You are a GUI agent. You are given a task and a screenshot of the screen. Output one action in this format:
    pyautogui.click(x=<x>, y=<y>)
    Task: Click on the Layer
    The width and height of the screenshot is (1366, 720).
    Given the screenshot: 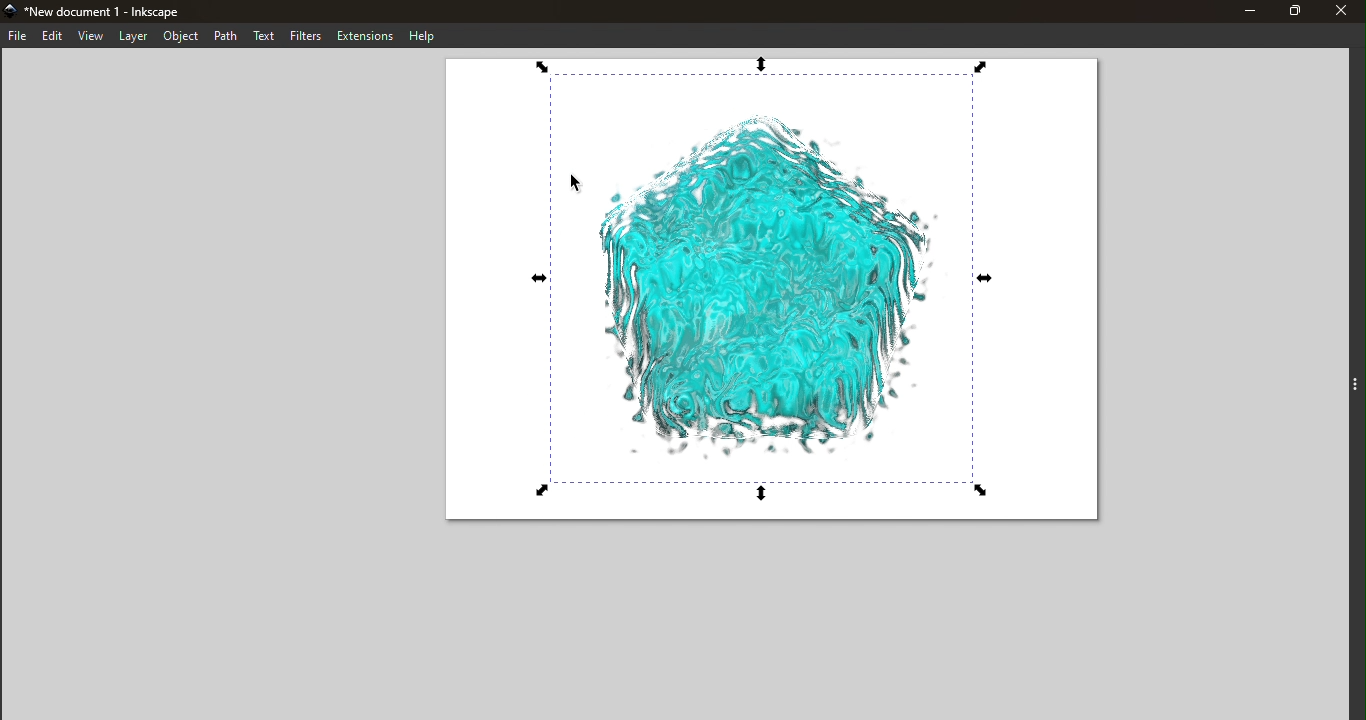 What is the action you would take?
    pyautogui.click(x=130, y=37)
    